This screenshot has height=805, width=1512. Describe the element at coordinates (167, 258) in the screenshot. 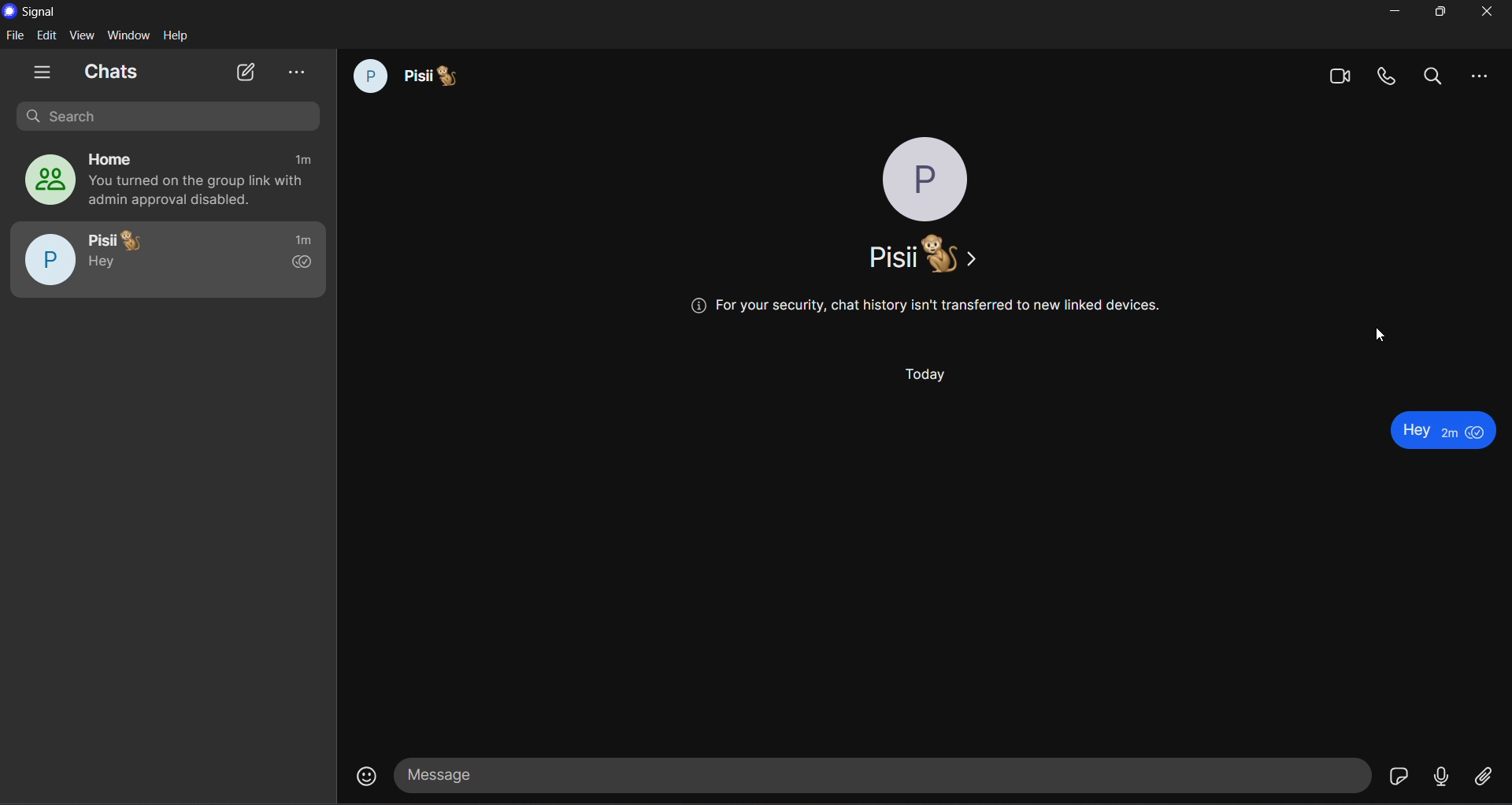

I see `pisii pinned chat` at that location.